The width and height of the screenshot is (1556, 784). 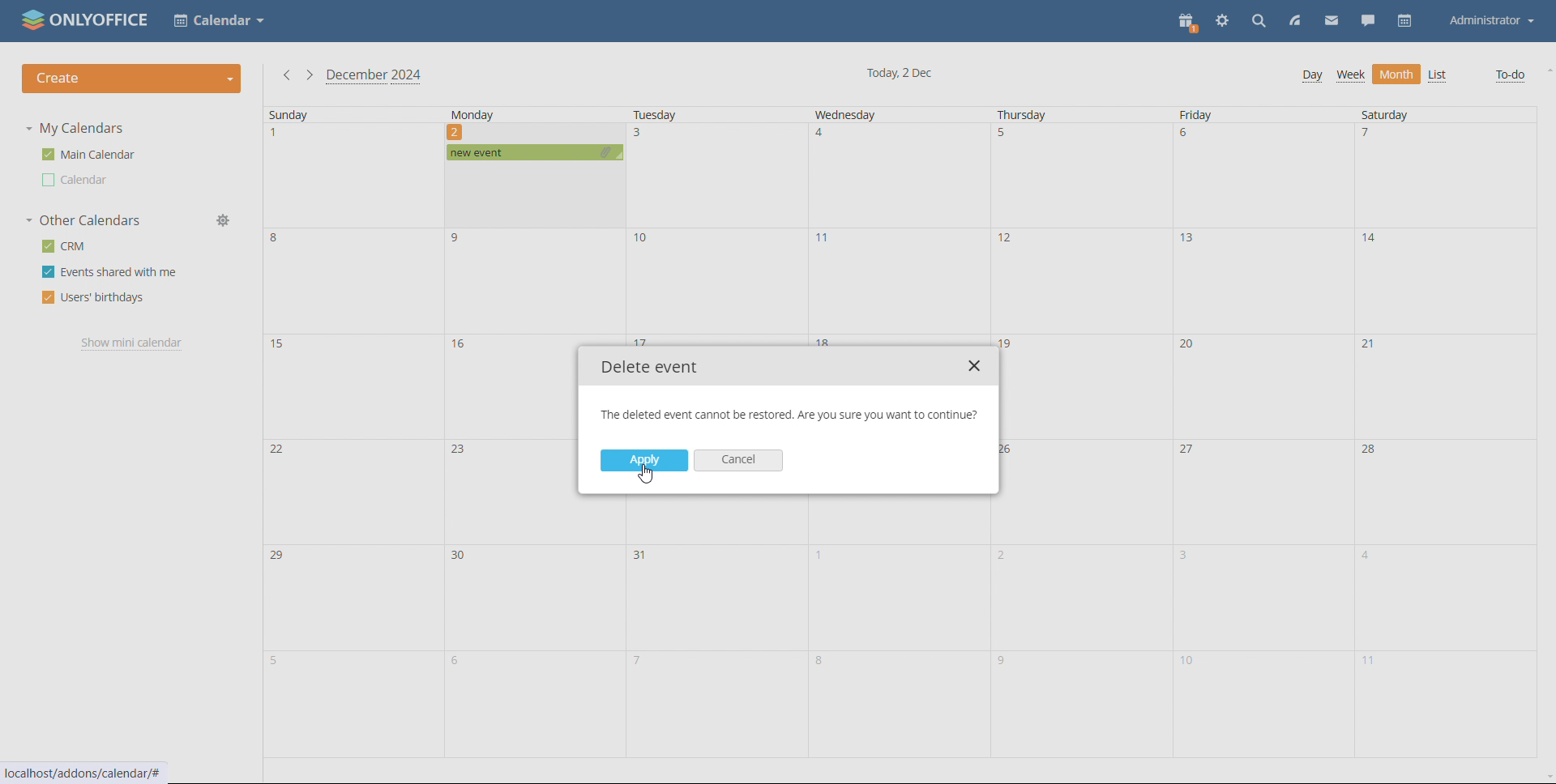 I want to click on 26, so click(x=1011, y=452).